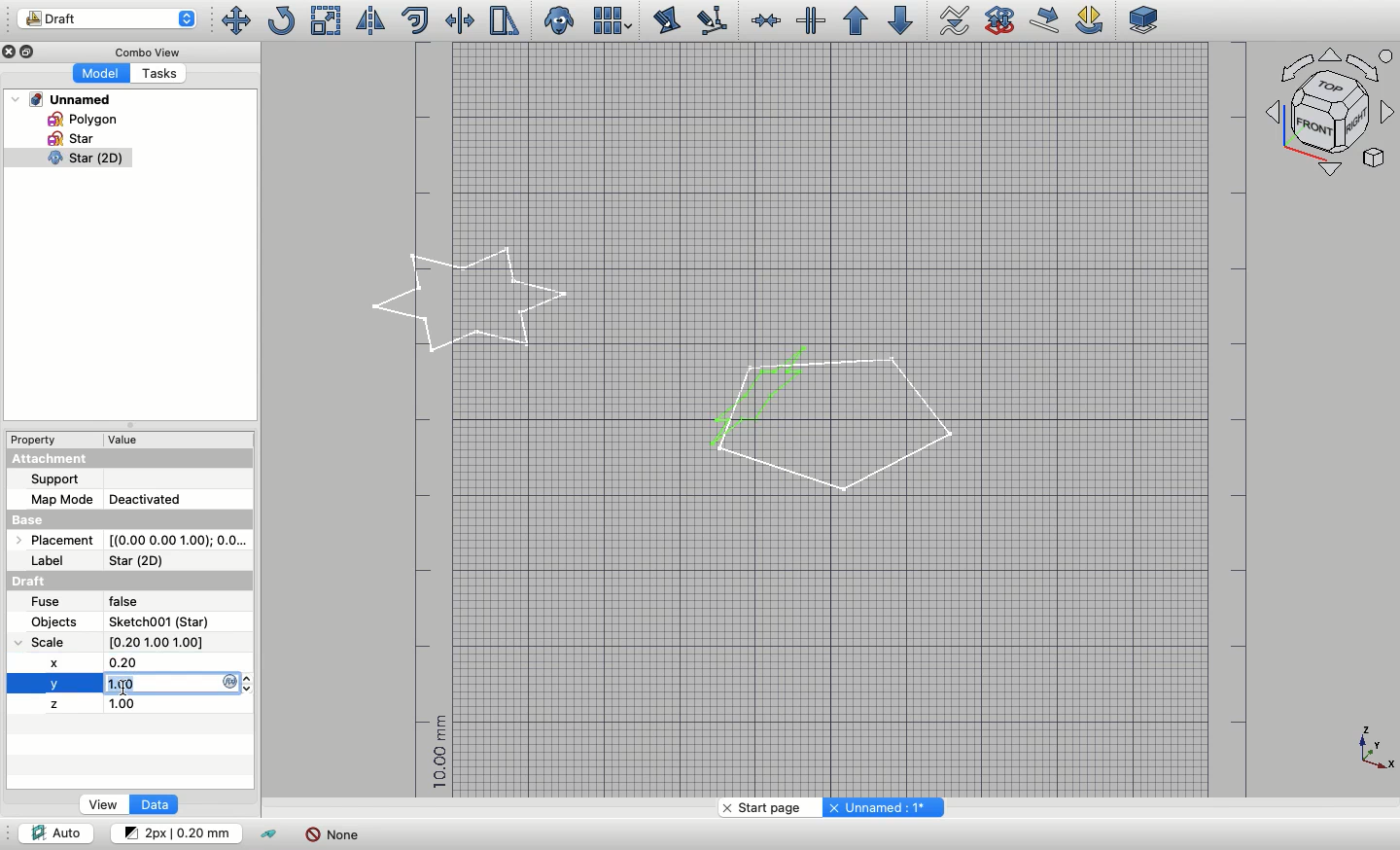 The image size is (1400, 850). What do you see at coordinates (61, 500) in the screenshot?
I see `Map mode` at bounding box center [61, 500].